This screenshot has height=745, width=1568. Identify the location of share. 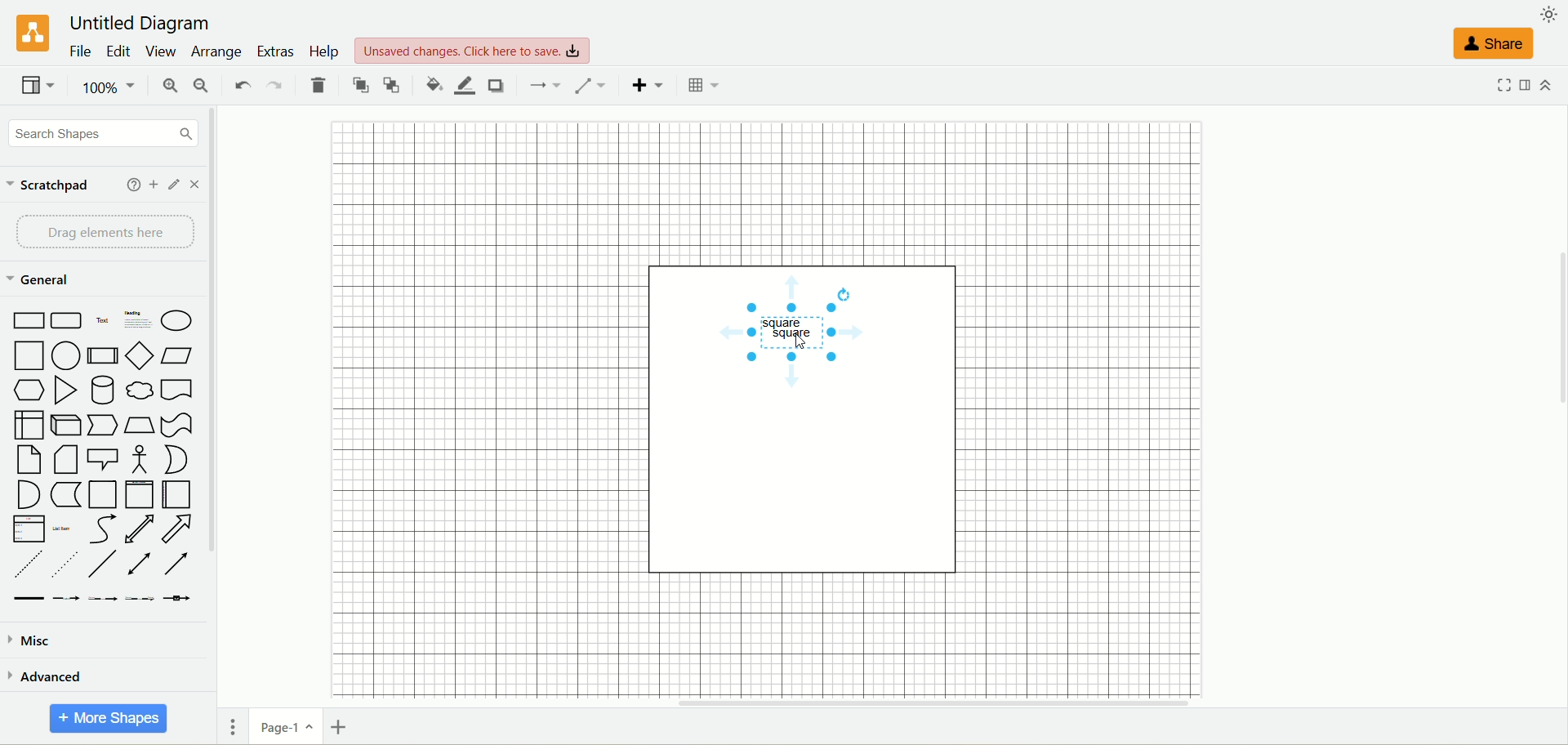
(1491, 42).